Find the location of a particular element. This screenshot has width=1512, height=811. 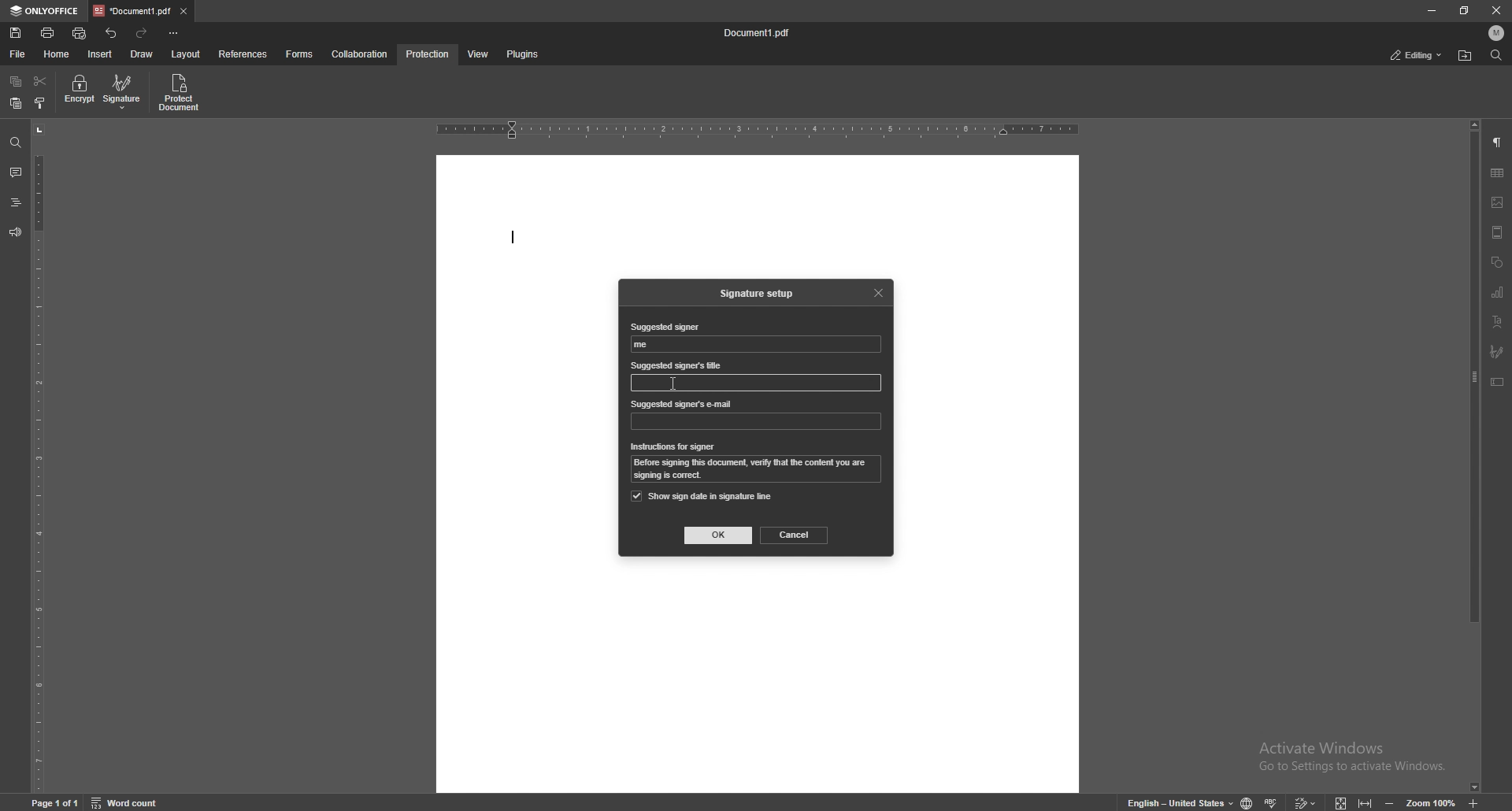

scroll bar is located at coordinates (1475, 457).